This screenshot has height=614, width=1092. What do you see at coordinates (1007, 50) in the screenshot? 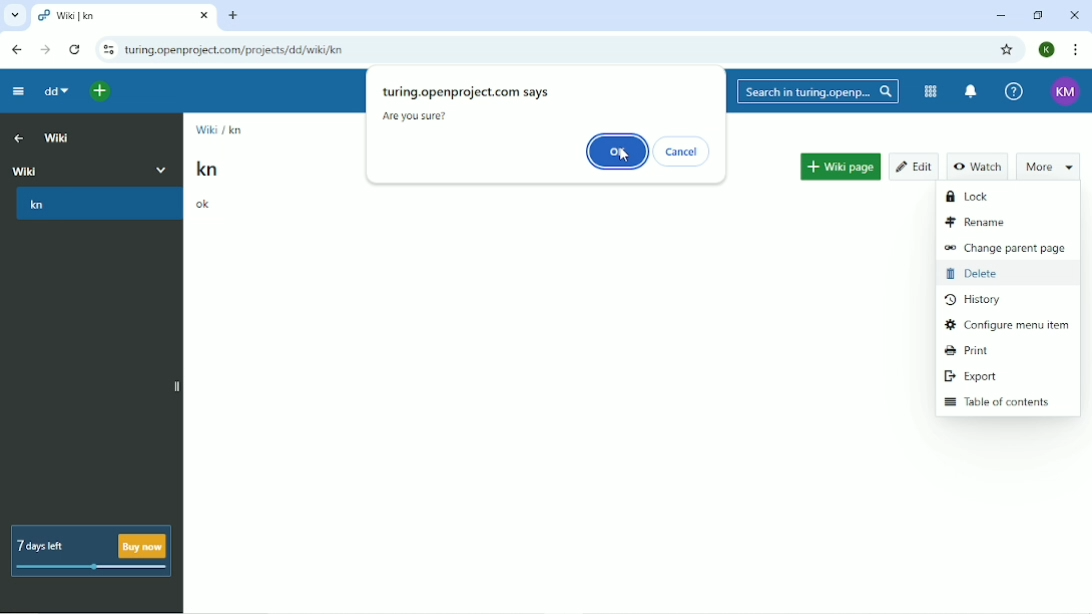
I see `Bookmark this tab` at bounding box center [1007, 50].